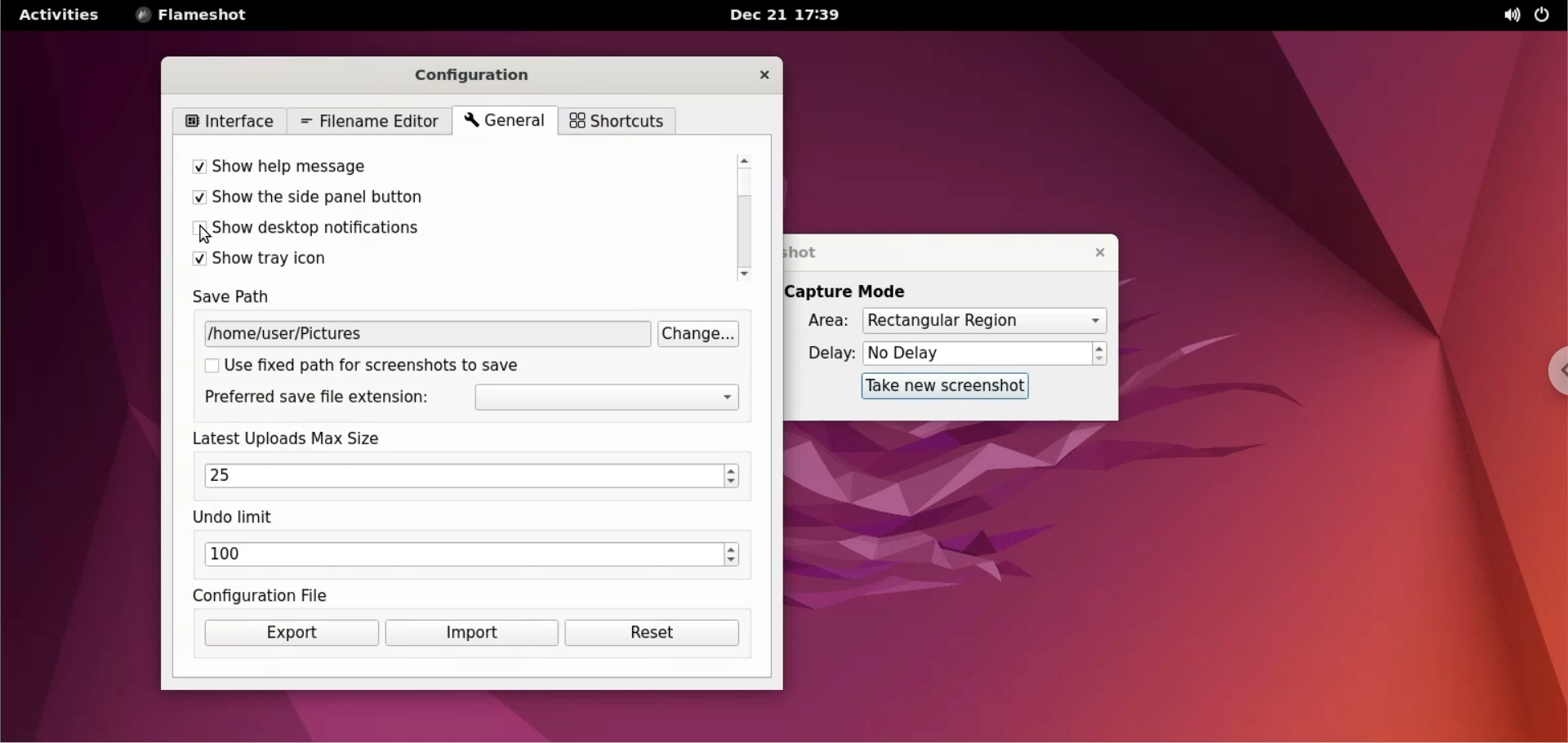 This screenshot has width=1568, height=743. Describe the element at coordinates (937, 387) in the screenshot. I see `take new screenshot` at that location.